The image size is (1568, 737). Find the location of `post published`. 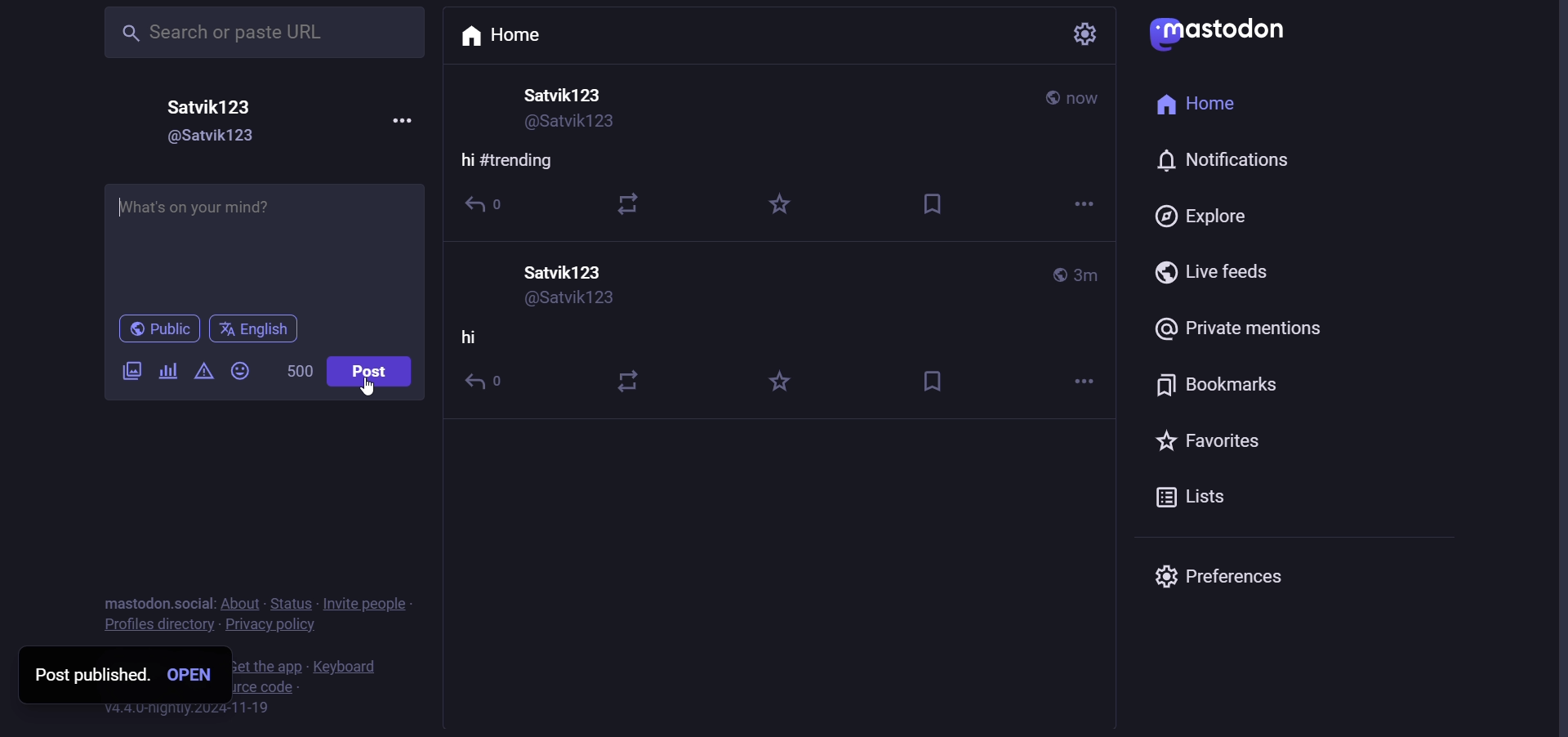

post published is located at coordinates (87, 678).